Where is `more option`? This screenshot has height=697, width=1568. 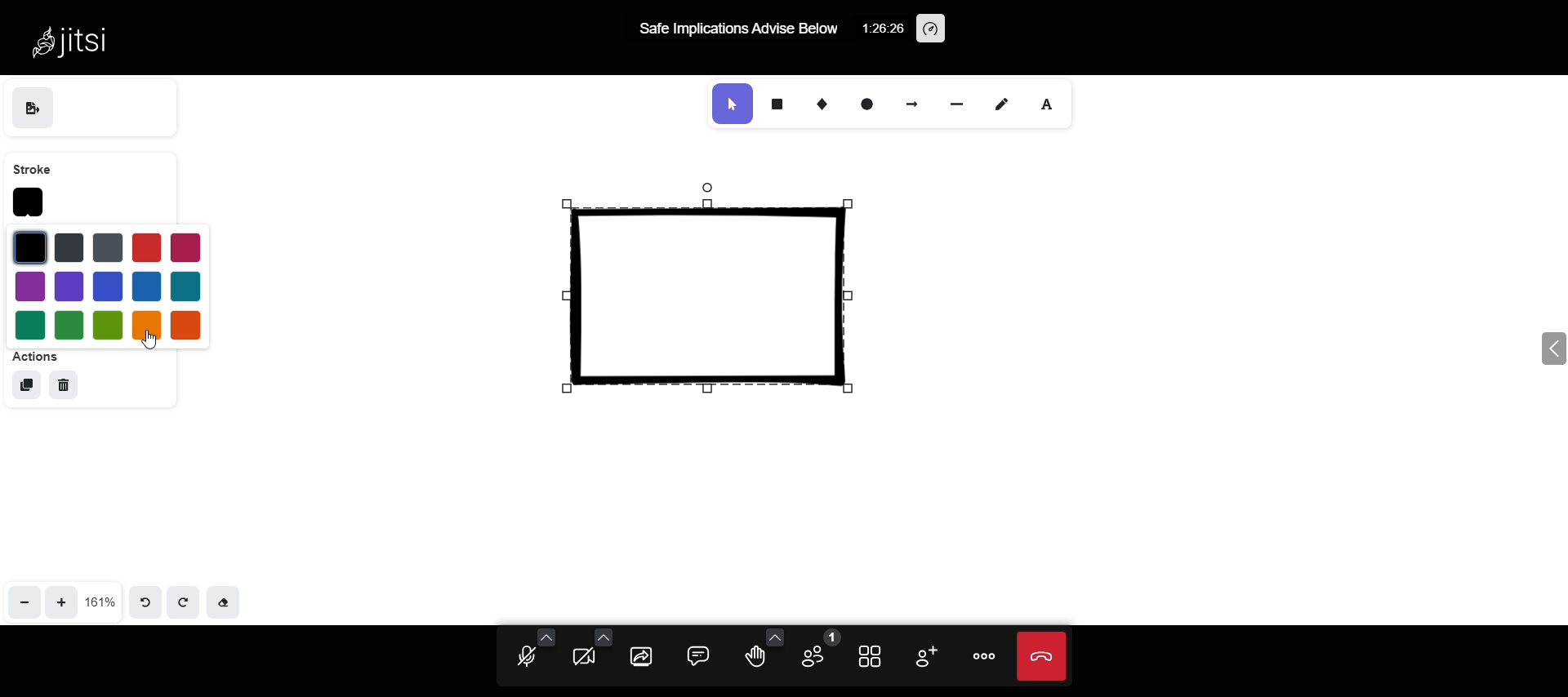 more option is located at coordinates (983, 653).